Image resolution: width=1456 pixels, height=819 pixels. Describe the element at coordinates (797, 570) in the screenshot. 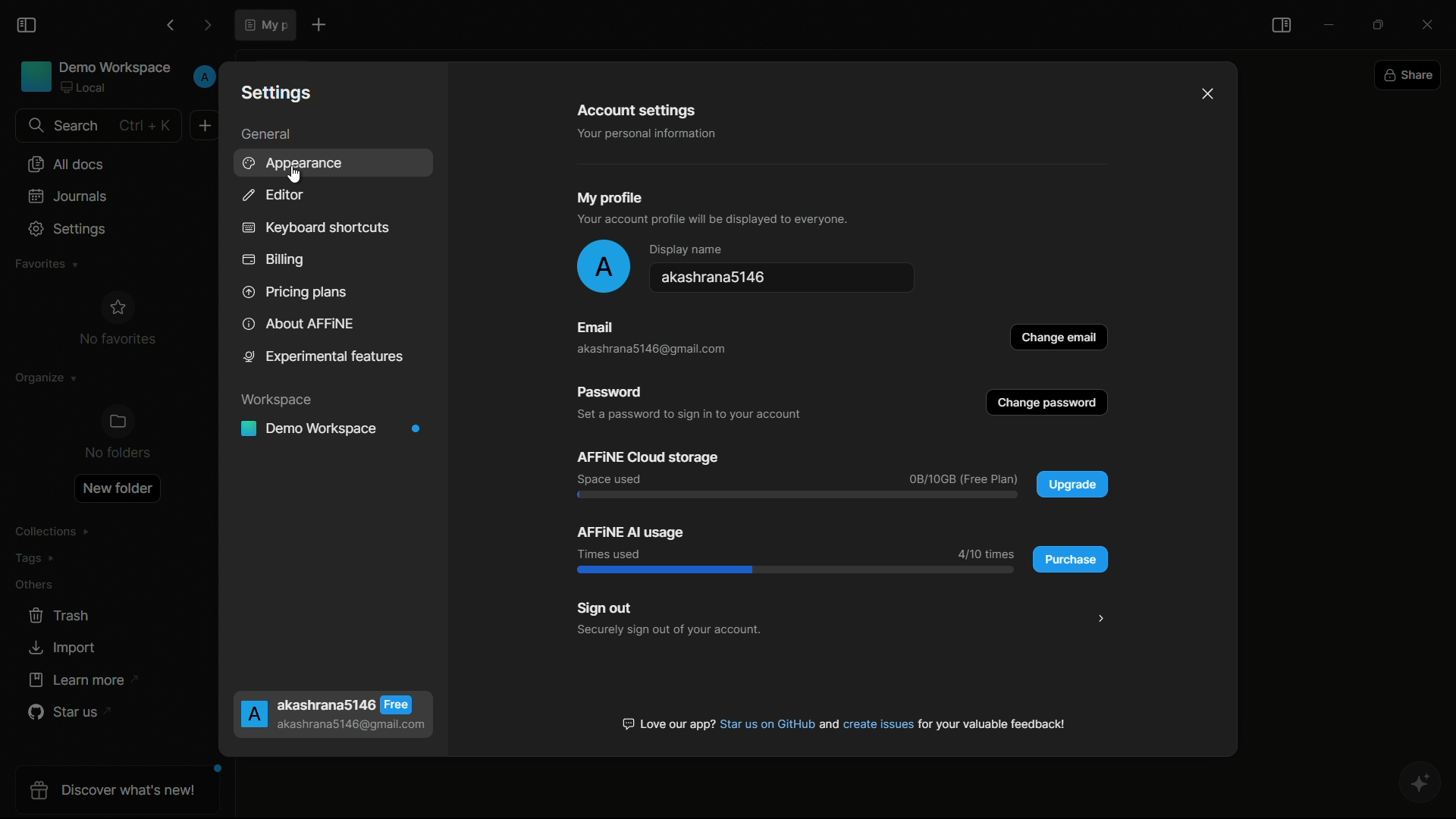

I see `progress bar` at that location.